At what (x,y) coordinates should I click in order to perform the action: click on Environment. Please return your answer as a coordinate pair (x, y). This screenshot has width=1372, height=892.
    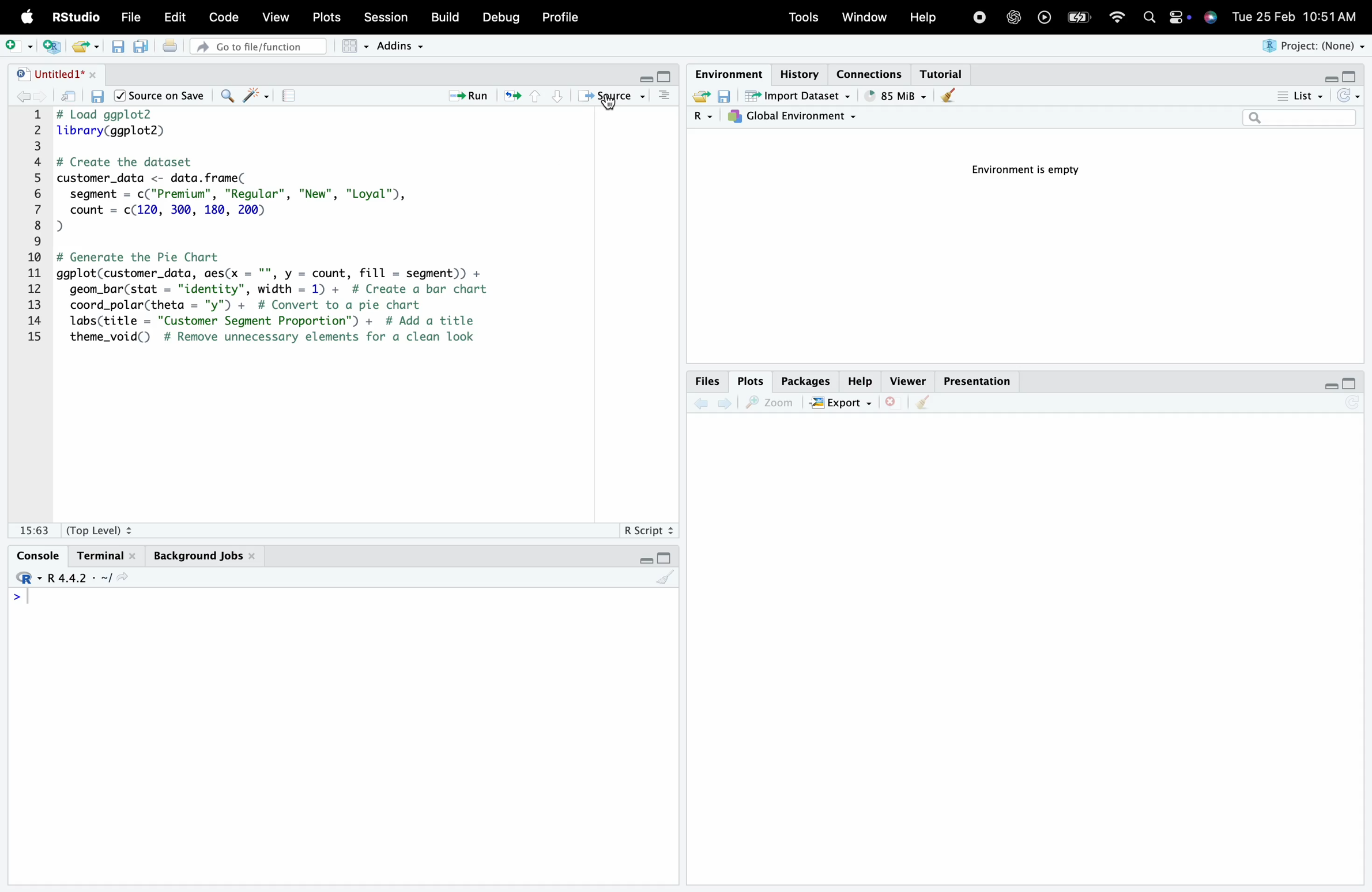
    Looking at the image, I should click on (726, 72).